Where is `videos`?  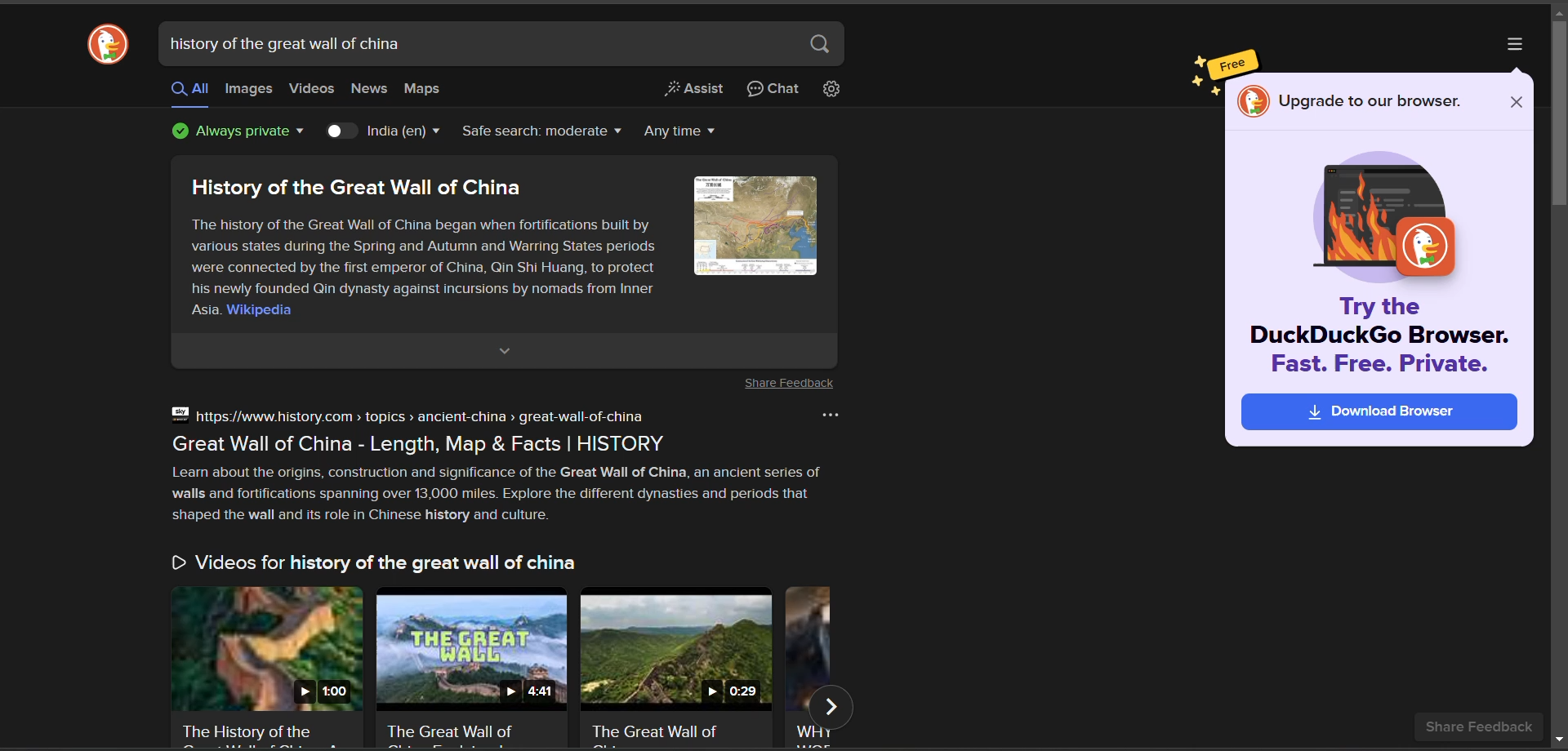
videos is located at coordinates (312, 88).